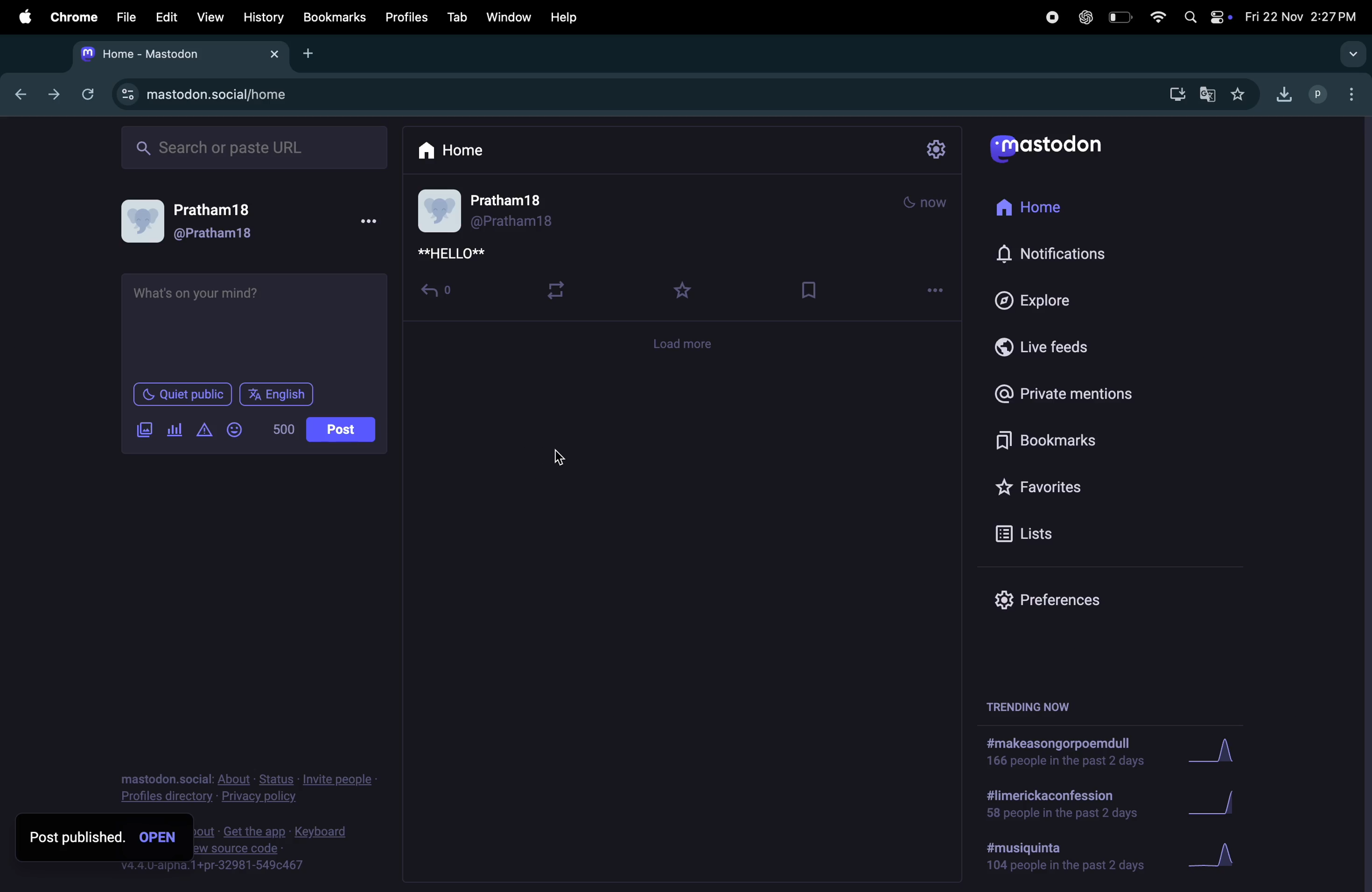 Image resolution: width=1372 pixels, height=892 pixels. What do you see at coordinates (922, 201) in the screenshot?
I see `time` at bounding box center [922, 201].